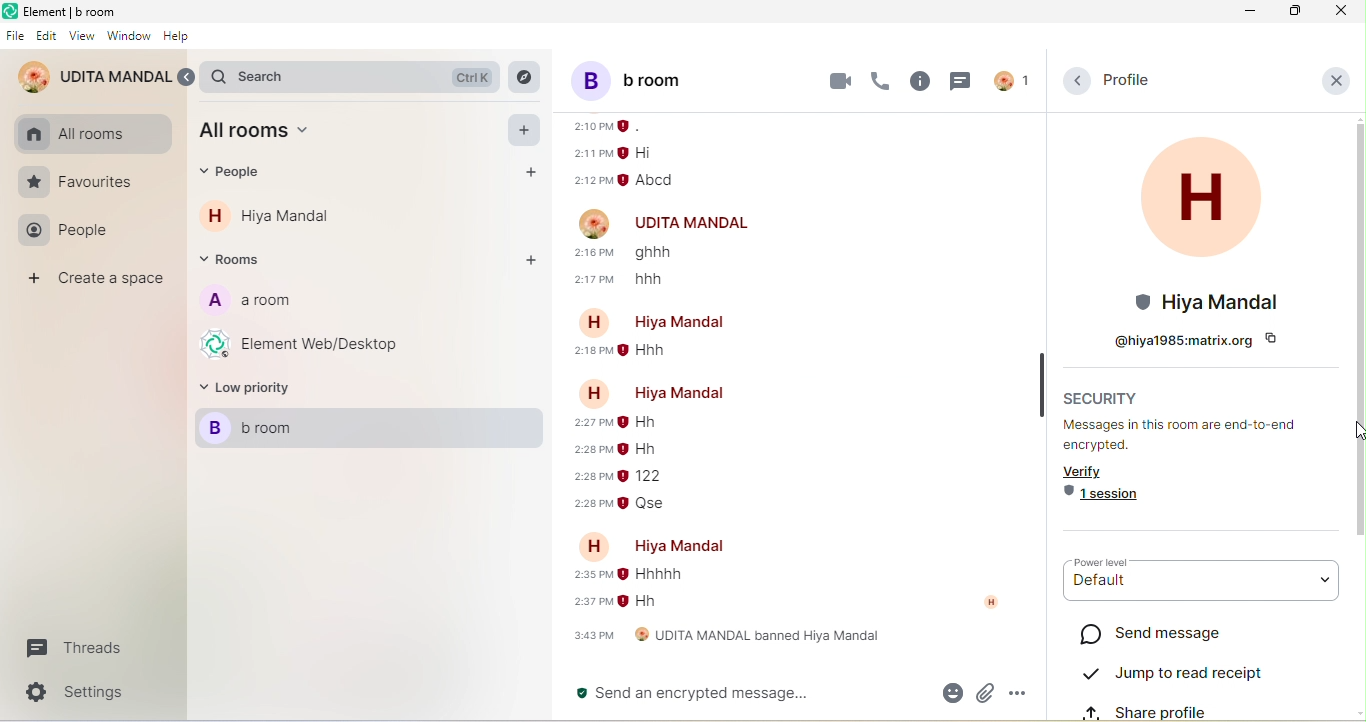 This screenshot has width=1366, height=722. What do you see at coordinates (650, 390) in the screenshot?
I see `account name- hiya mandal` at bounding box center [650, 390].